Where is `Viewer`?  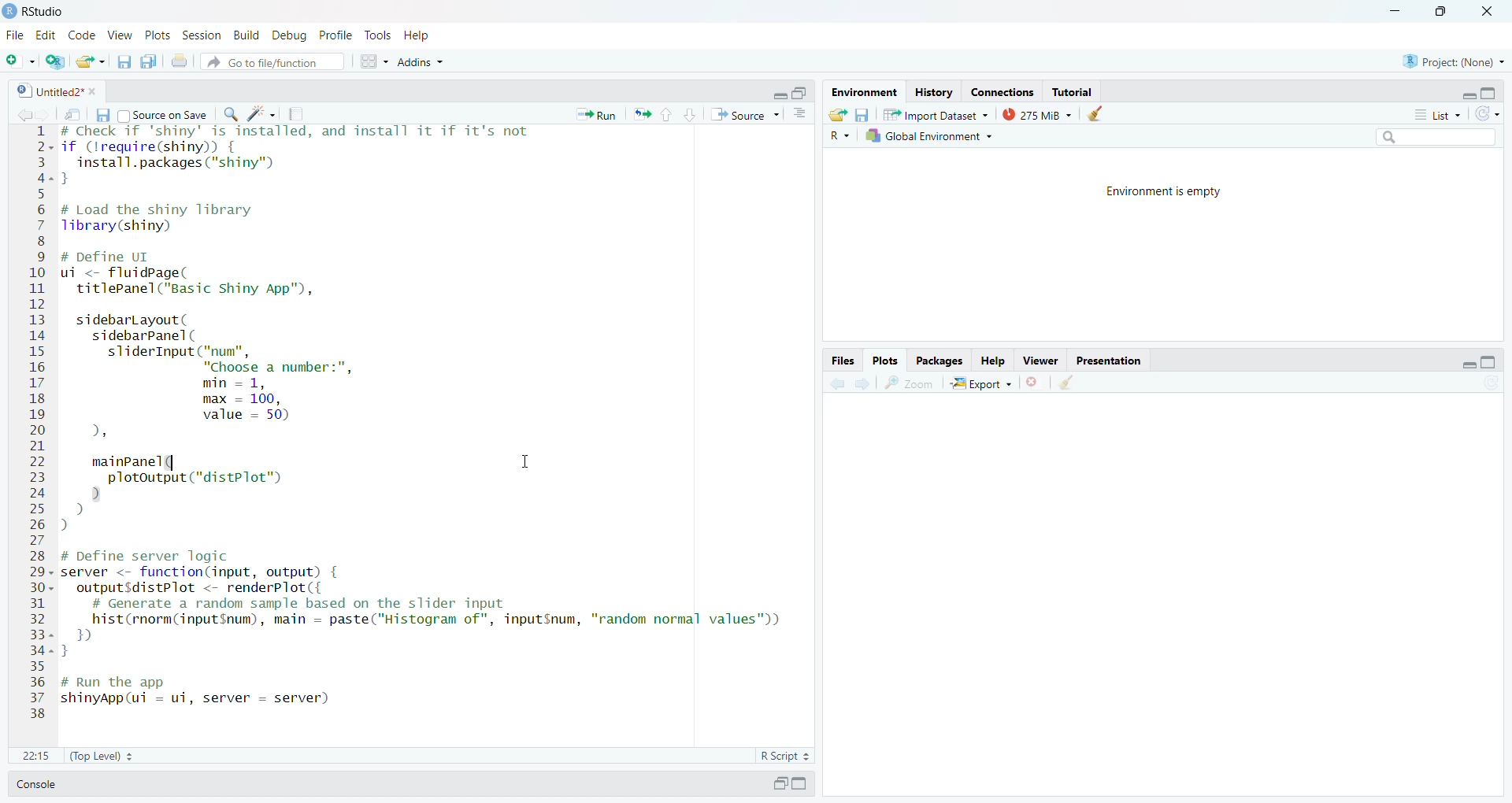 Viewer is located at coordinates (1039, 361).